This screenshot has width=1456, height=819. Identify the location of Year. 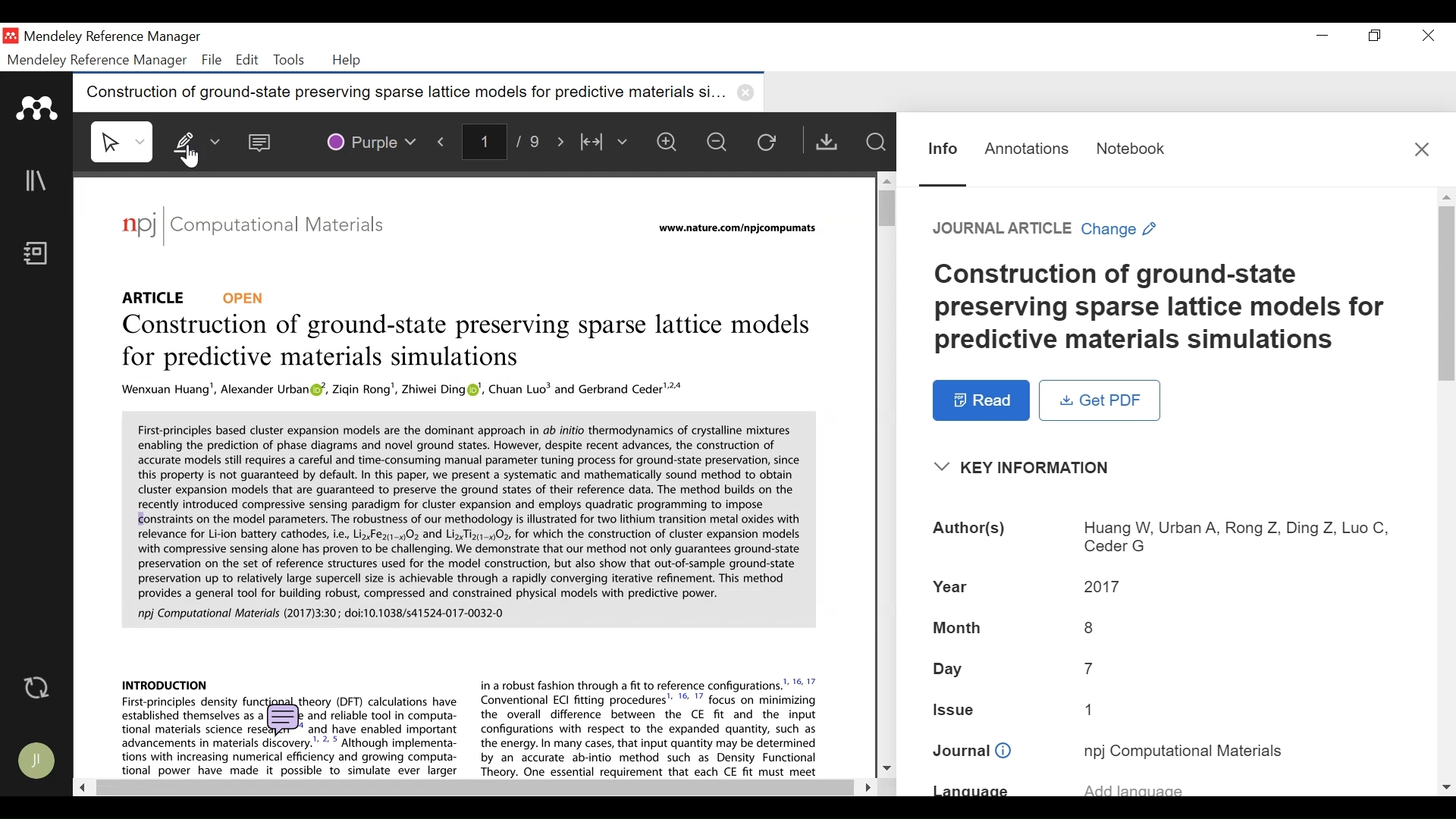
(953, 585).